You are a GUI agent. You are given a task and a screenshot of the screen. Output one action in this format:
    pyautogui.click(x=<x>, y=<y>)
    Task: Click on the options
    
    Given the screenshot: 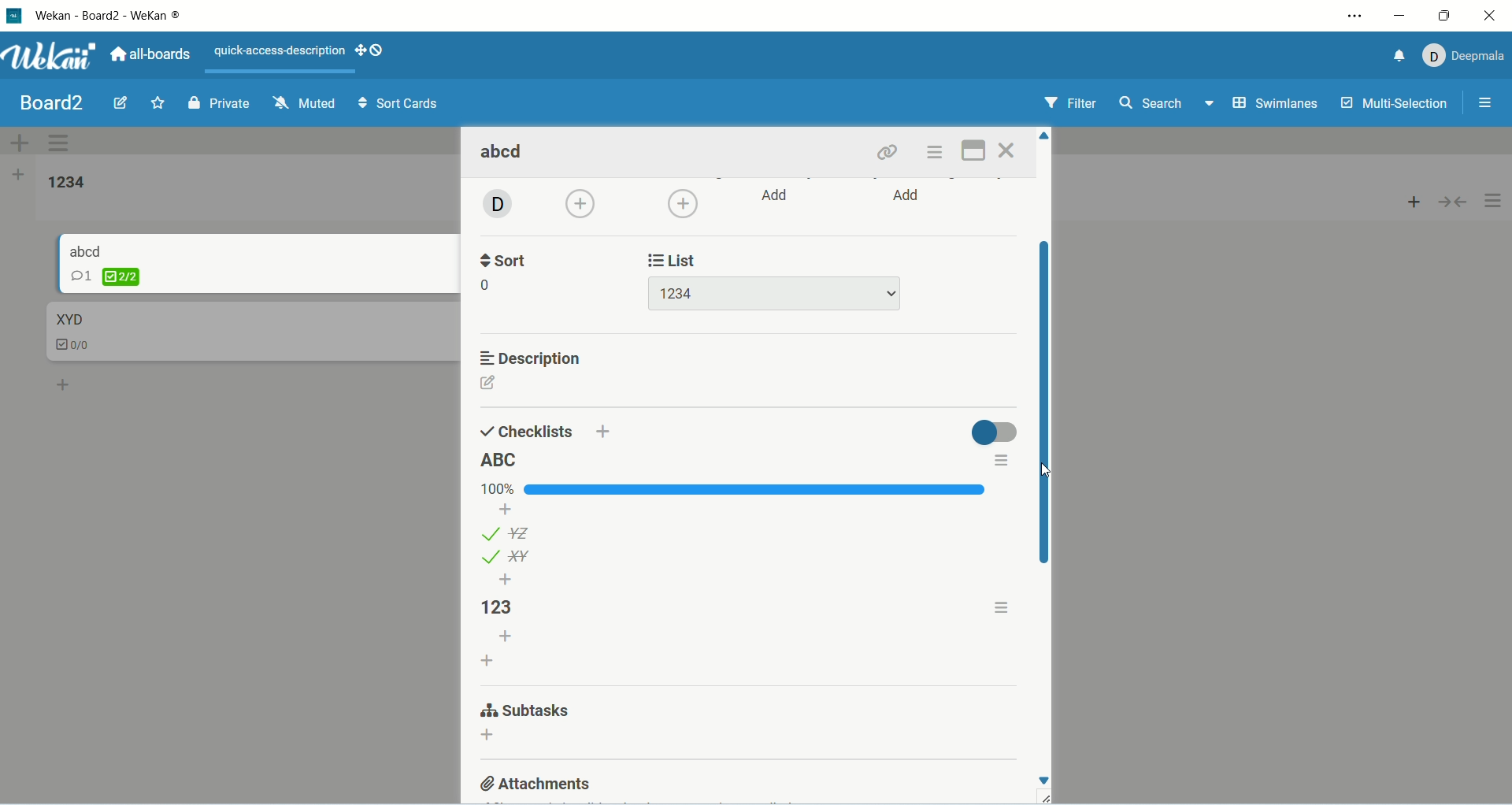 What is the action you would take?
    pyautogui.click(x=1004, y=606)
    